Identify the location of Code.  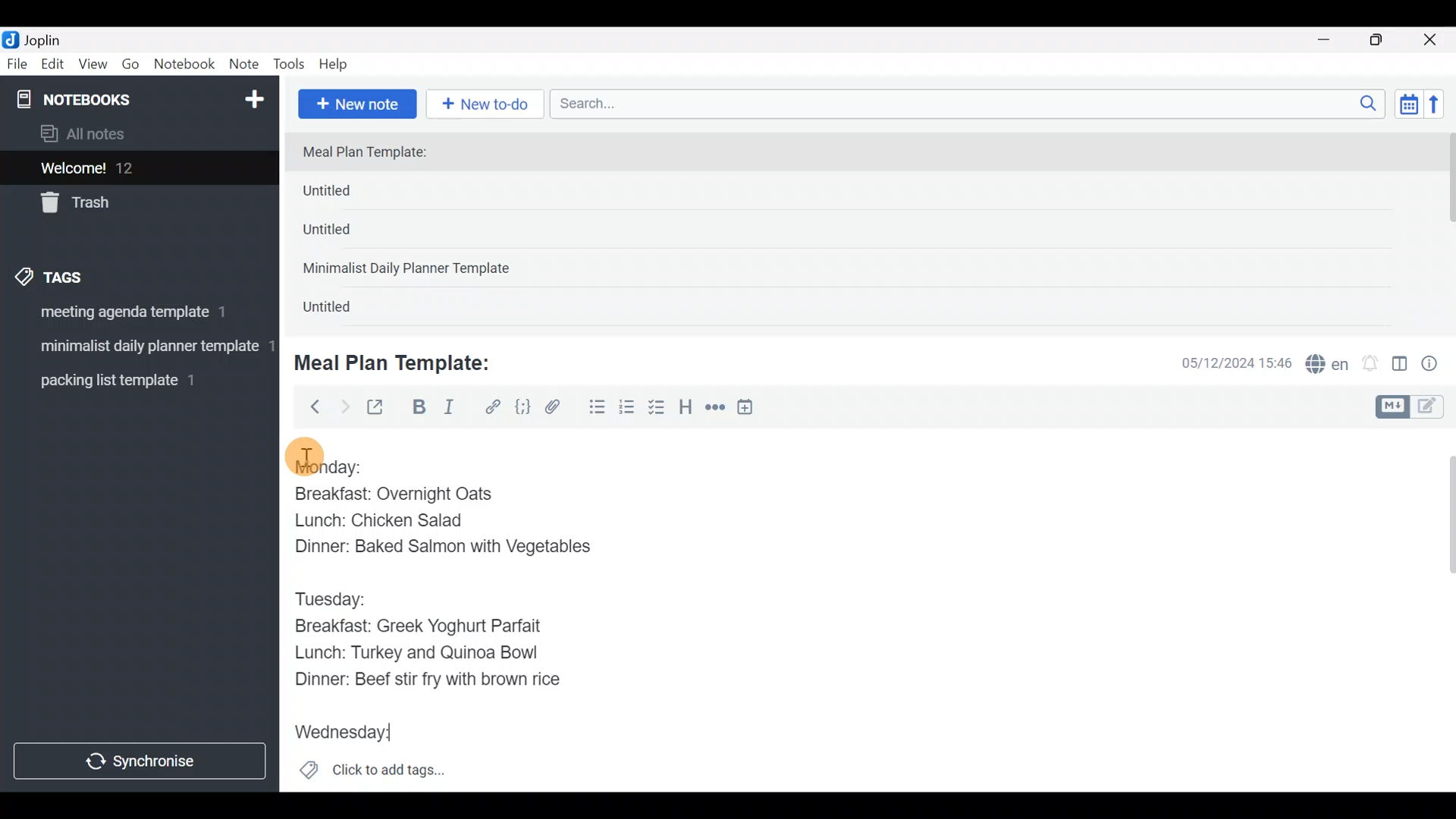
(521, 406).